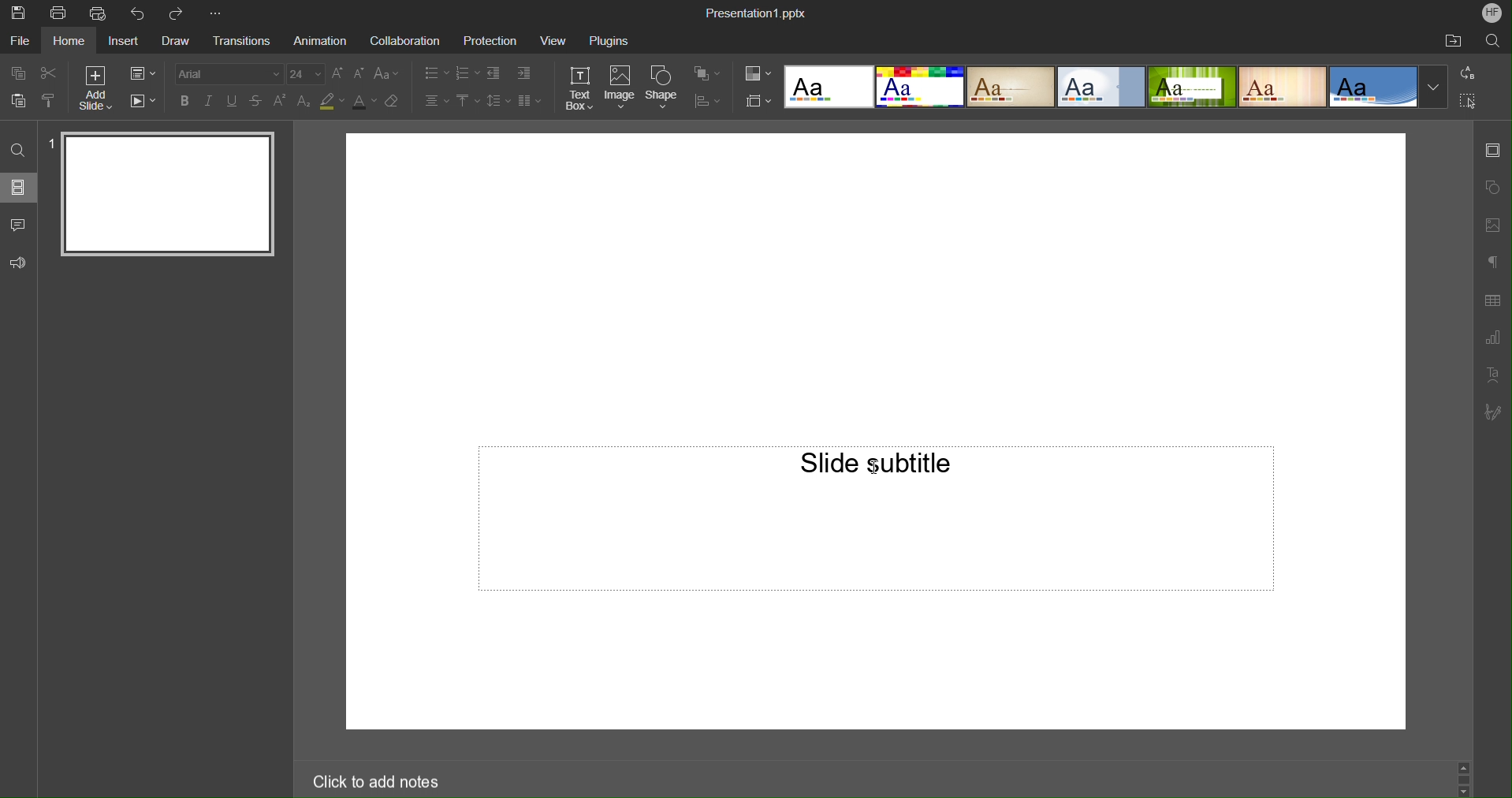  Describe the element at coordinates (1010, 88) in the screenshot. I see `template` at that location.